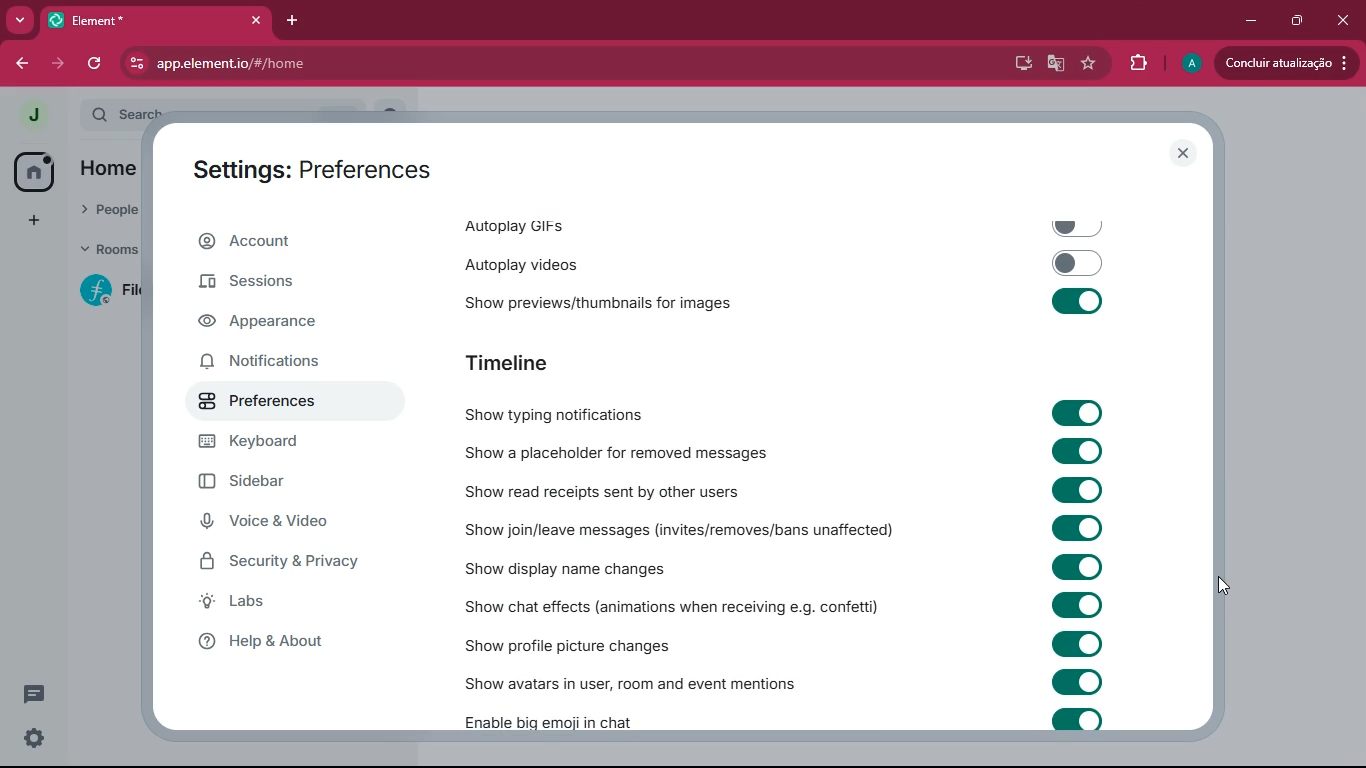  I want to click on Show a placeholder for removed messages, so click(789, 452).